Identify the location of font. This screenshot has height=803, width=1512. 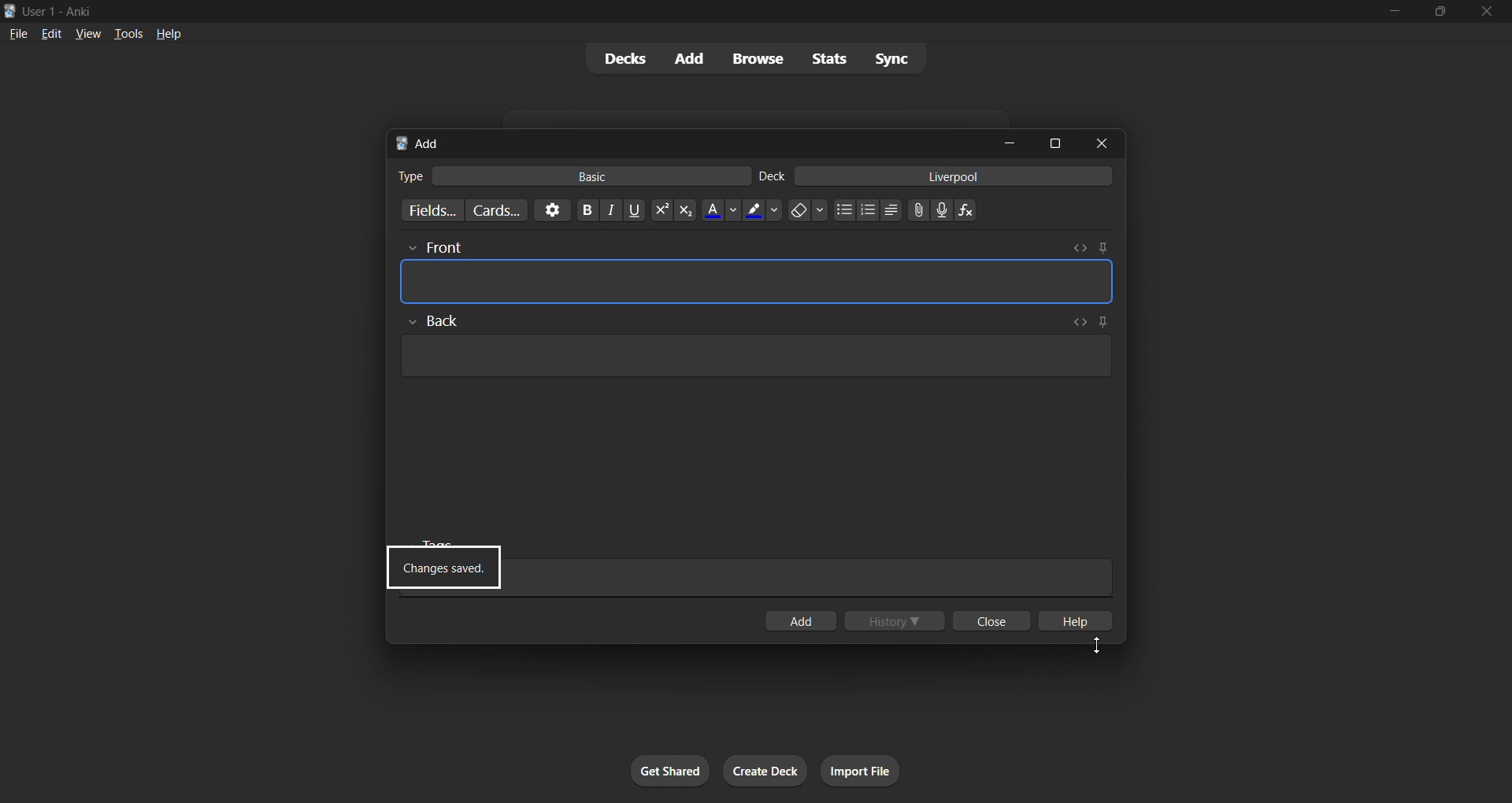
(436, 247).